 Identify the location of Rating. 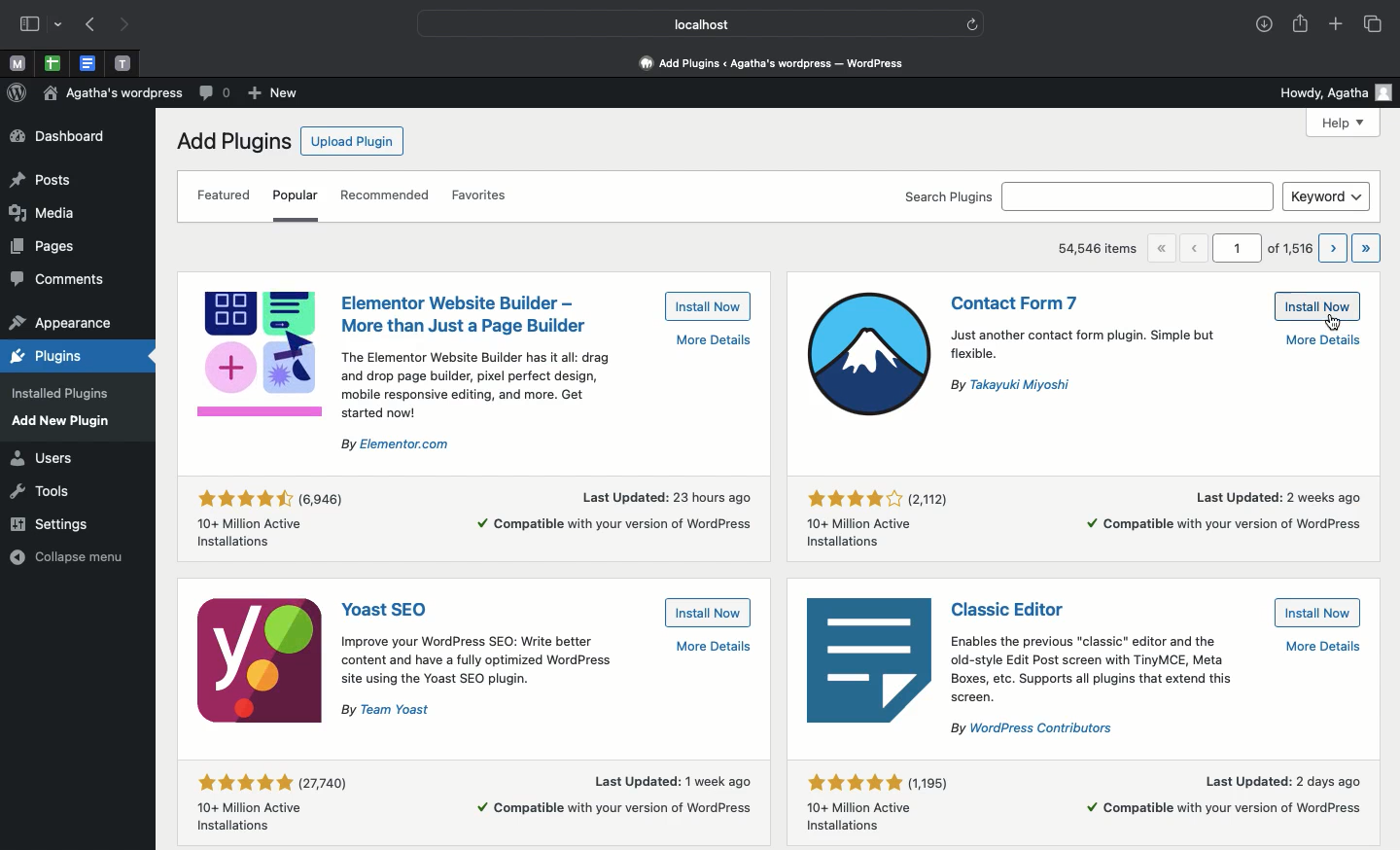
(875, 804).